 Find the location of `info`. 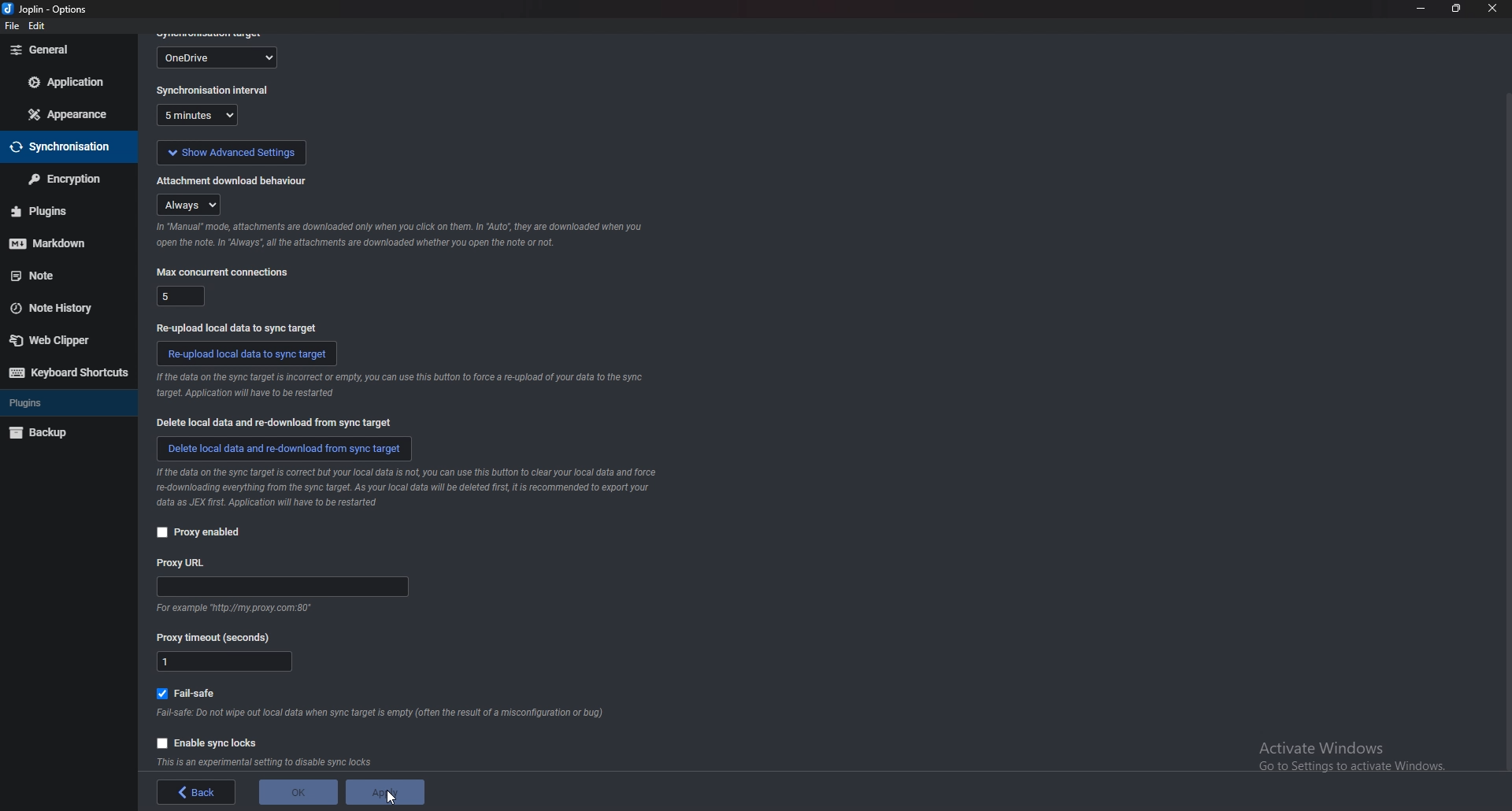

info is located at coordinates (397, 387).